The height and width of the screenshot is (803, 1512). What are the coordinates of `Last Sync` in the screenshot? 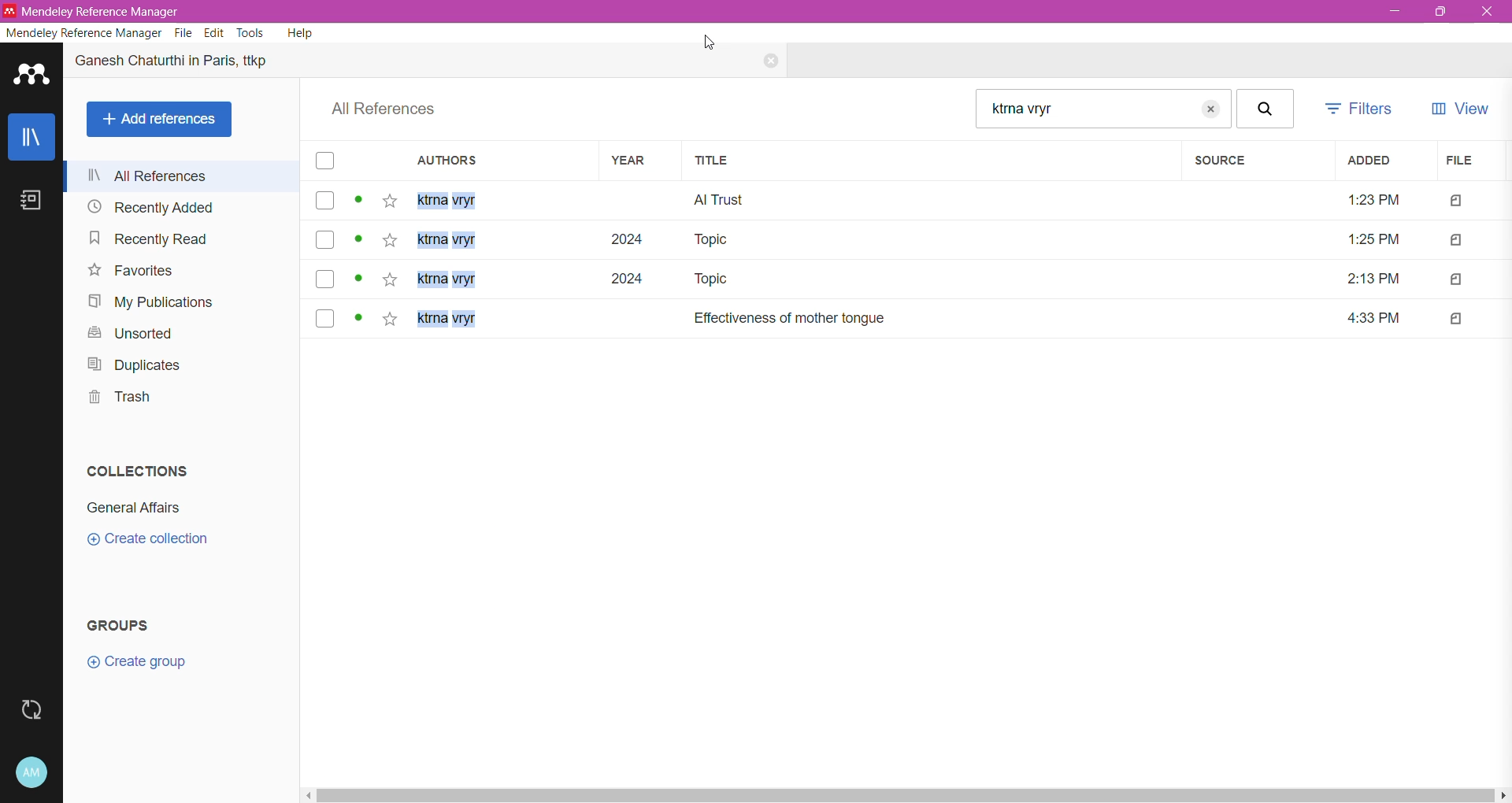 It's located at (31, 711).